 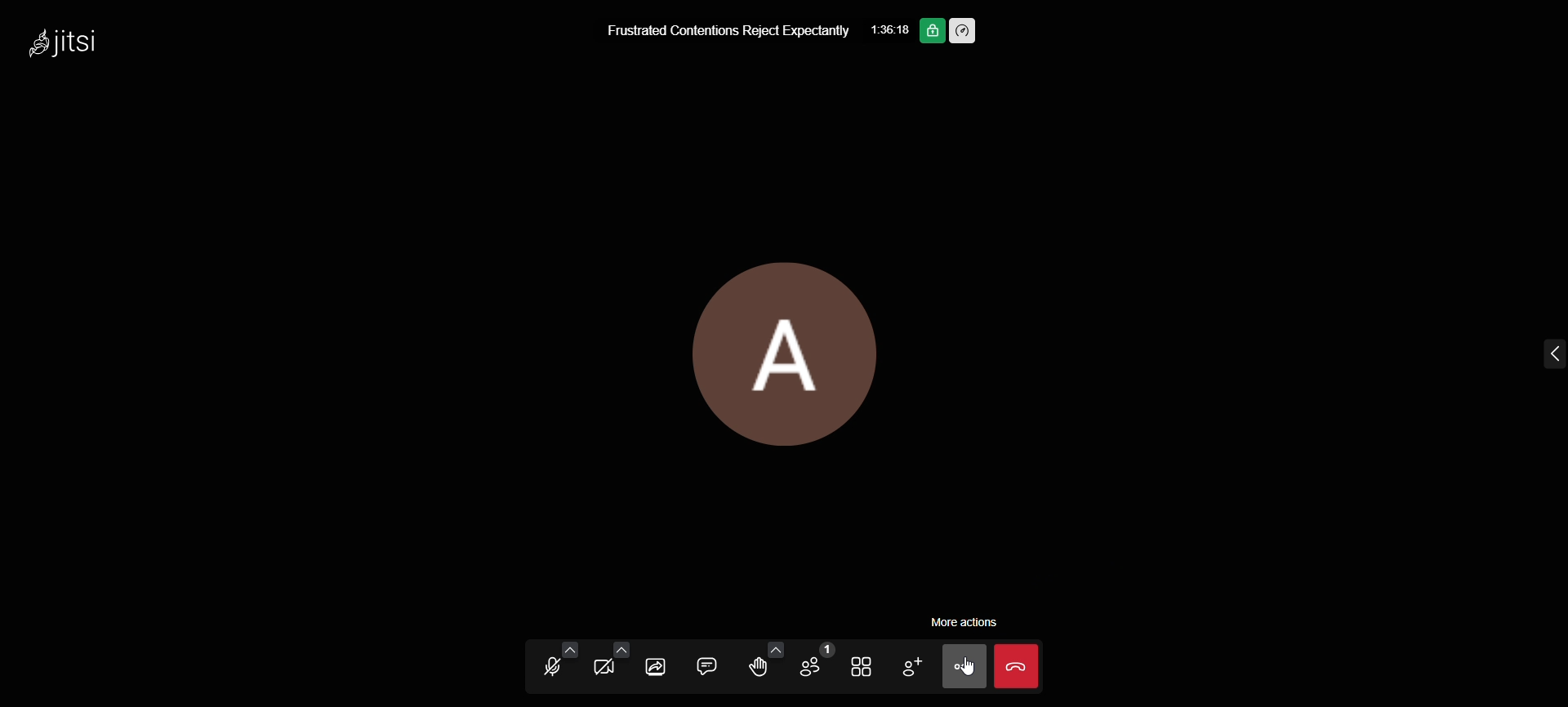 What do you see at coordinates (74, 43) in the screenshot?
I see `Jitsi` at bounding box center [74, 43].